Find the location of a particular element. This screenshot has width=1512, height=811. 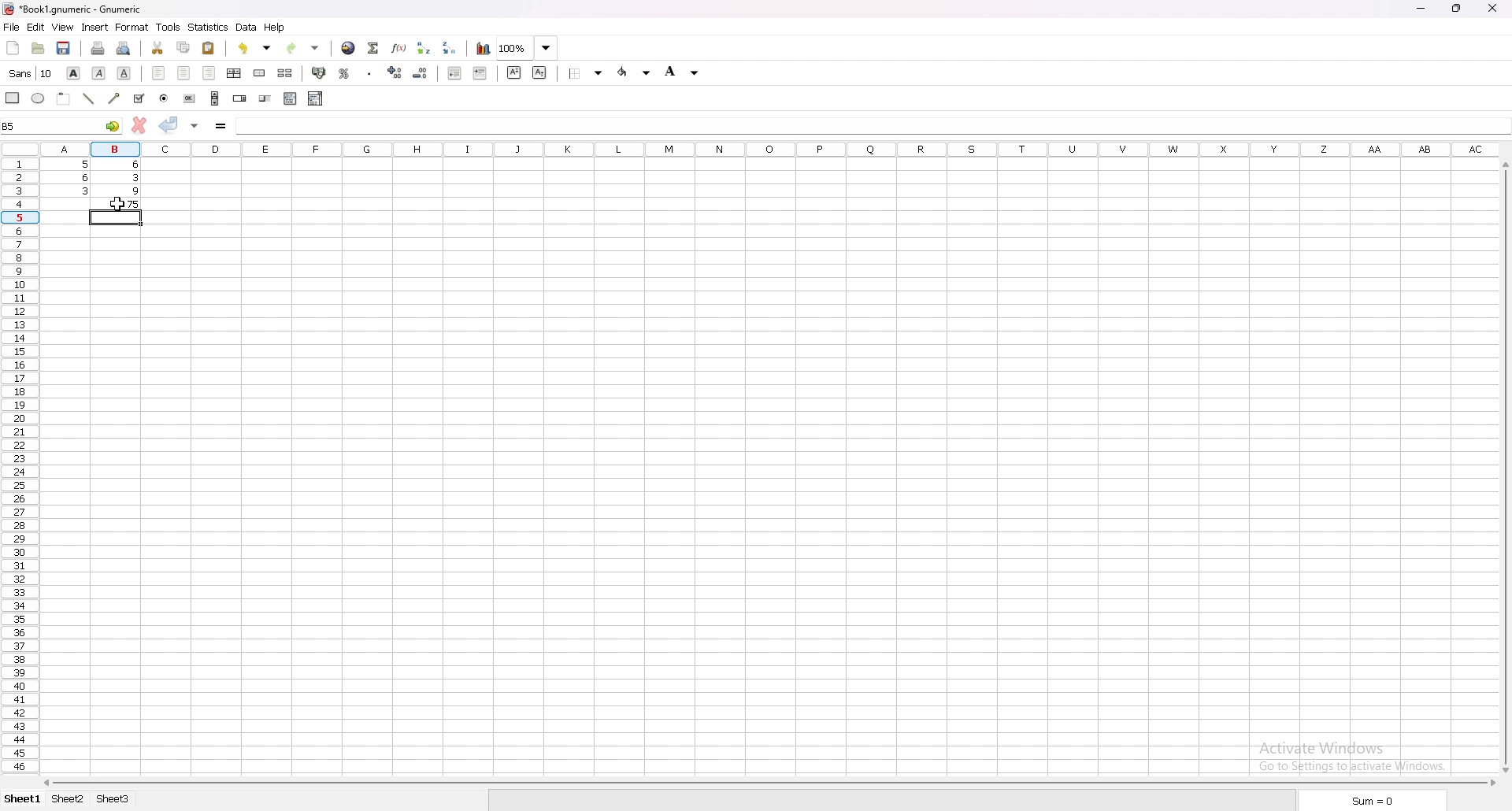

print is located at coordinates (97, 49).